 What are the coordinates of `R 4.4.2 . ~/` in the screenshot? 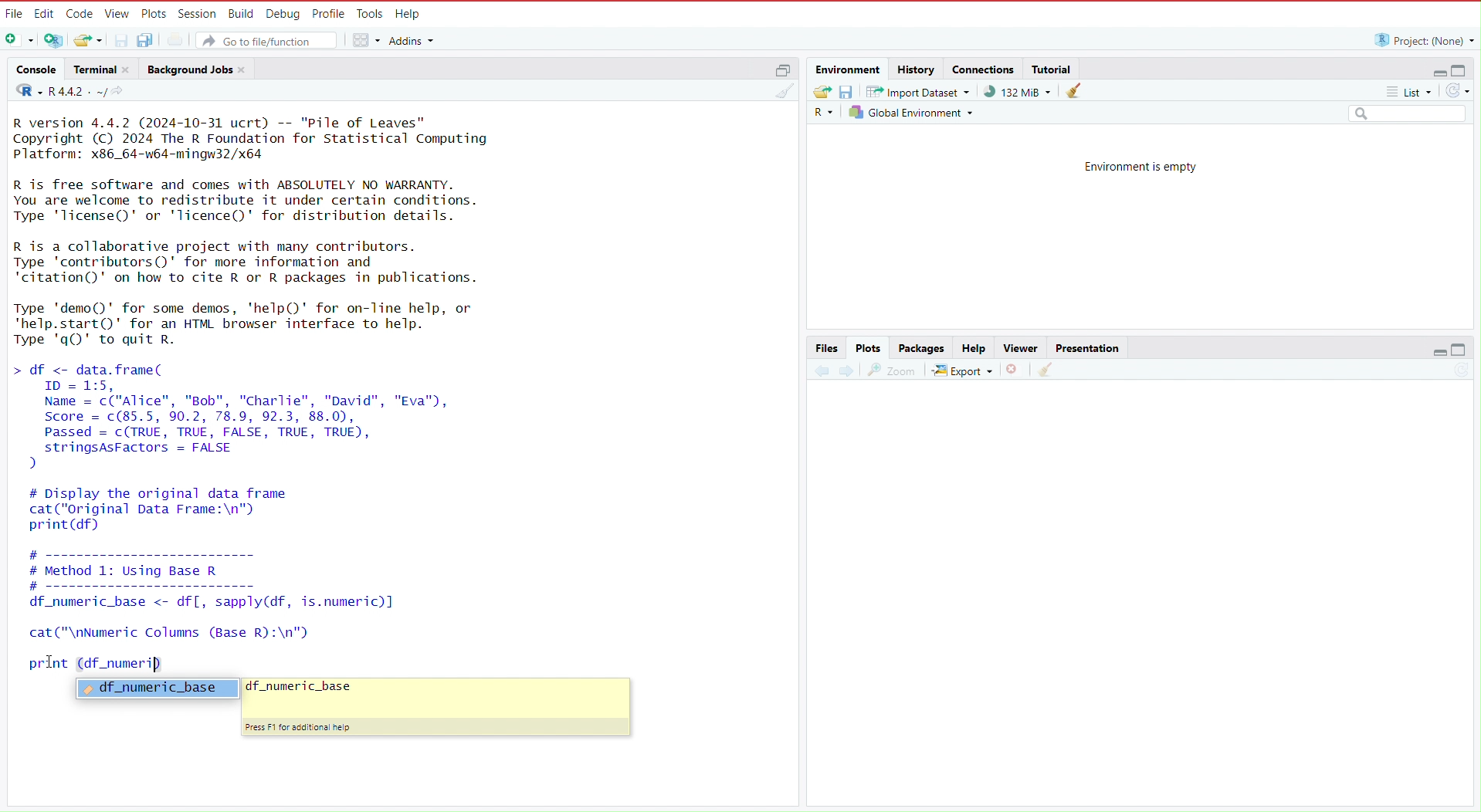 It's located at (76, 90).